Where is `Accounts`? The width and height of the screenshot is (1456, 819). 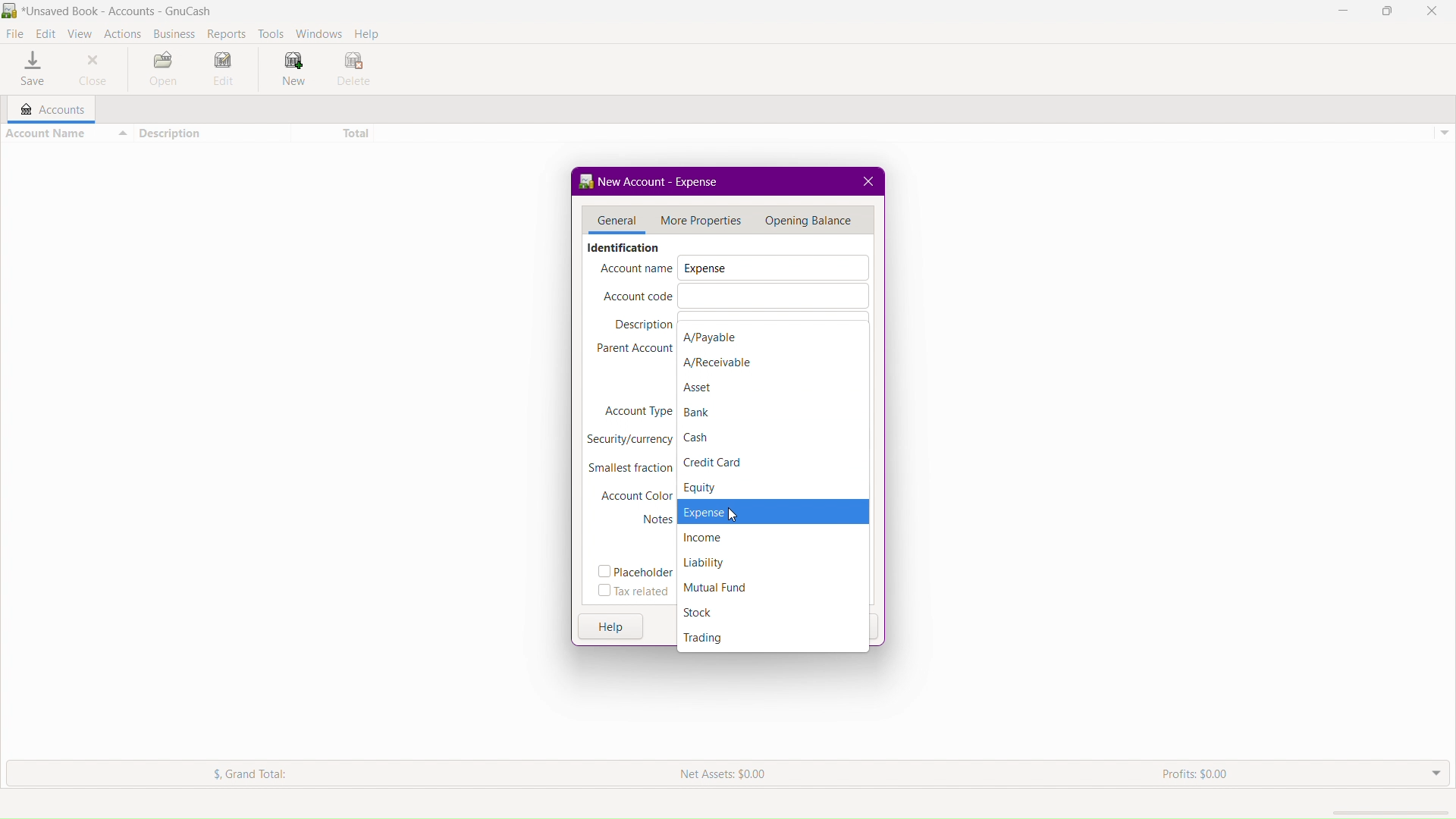 Accounts is located at coordinates (47, 109).